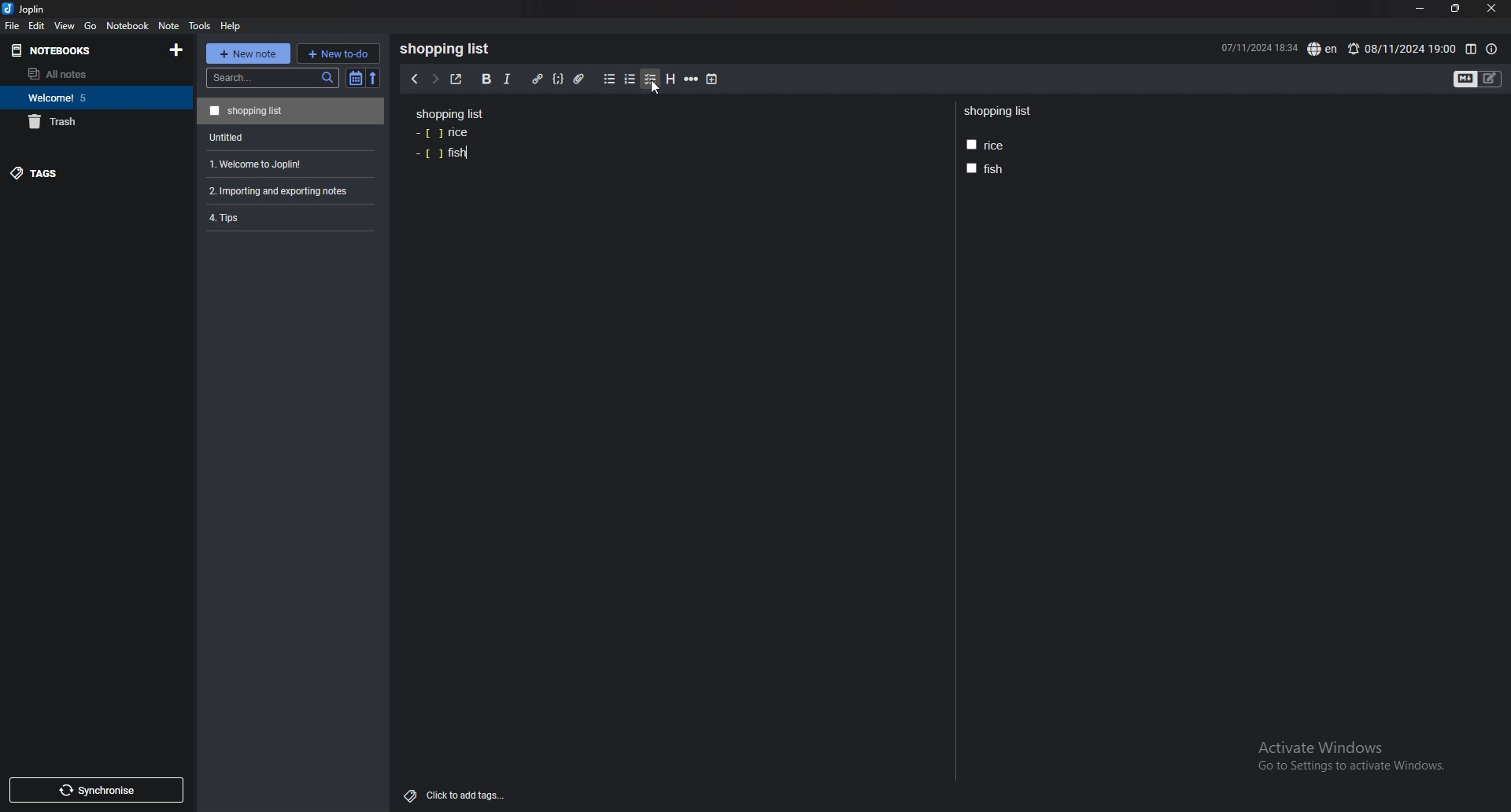 This screenshot has width=1511, height=812. I want to click on Shopping list, so click(449, 49).